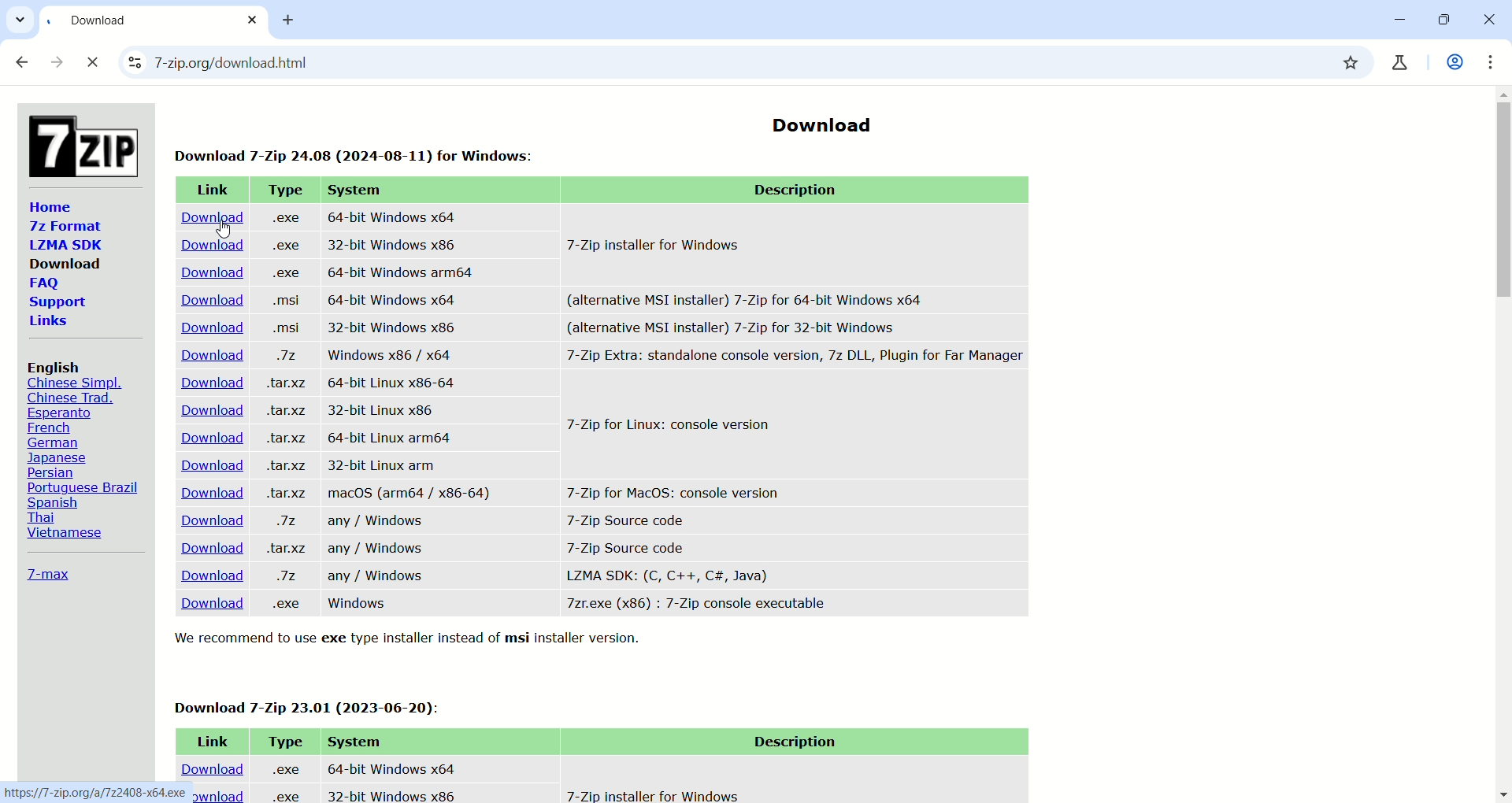  Describe the element at coordinates (209, 605) in the screenshot. I see `Download` at that location.